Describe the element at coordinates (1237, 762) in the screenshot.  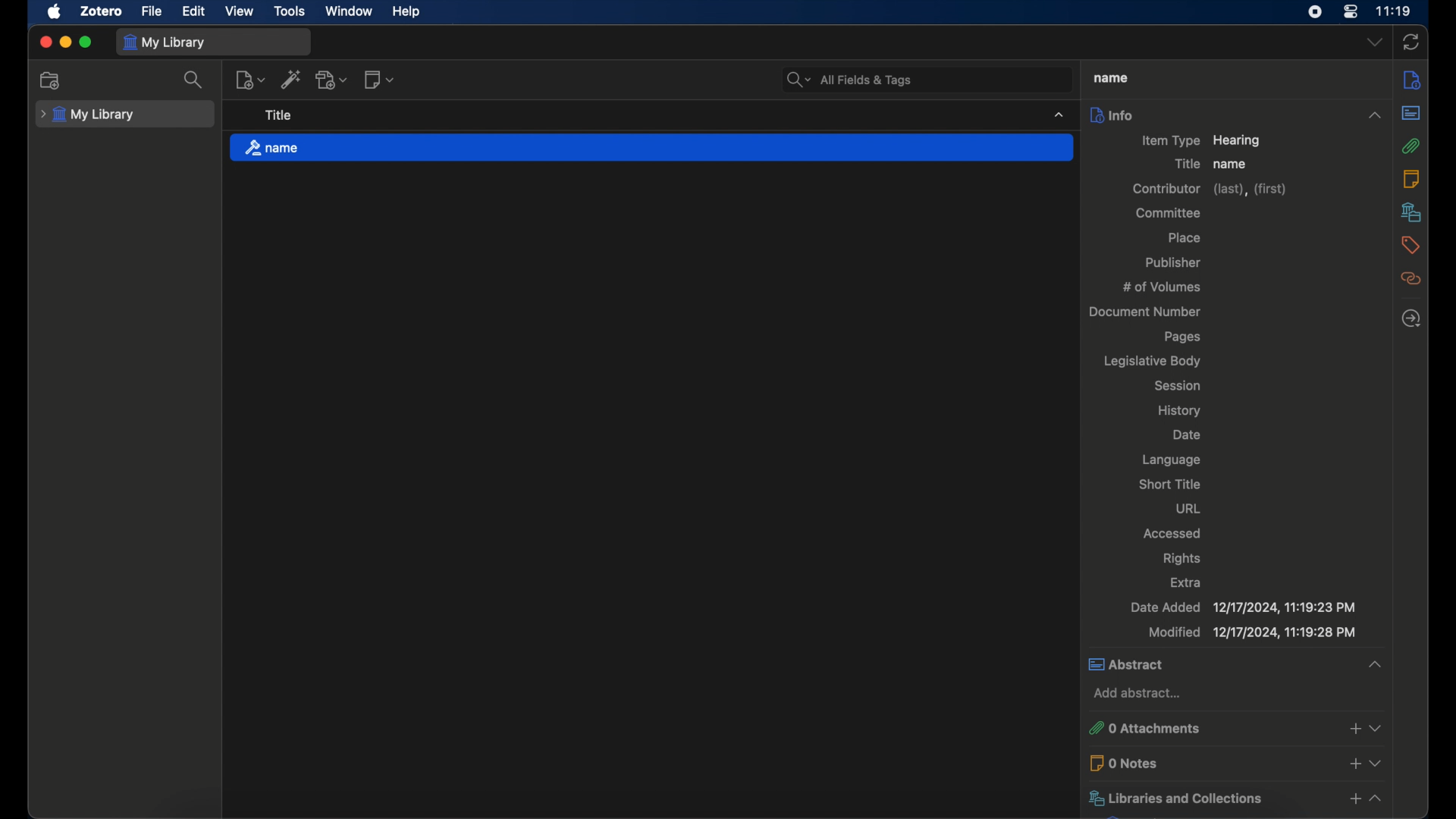
I see `0 notes` at that location.